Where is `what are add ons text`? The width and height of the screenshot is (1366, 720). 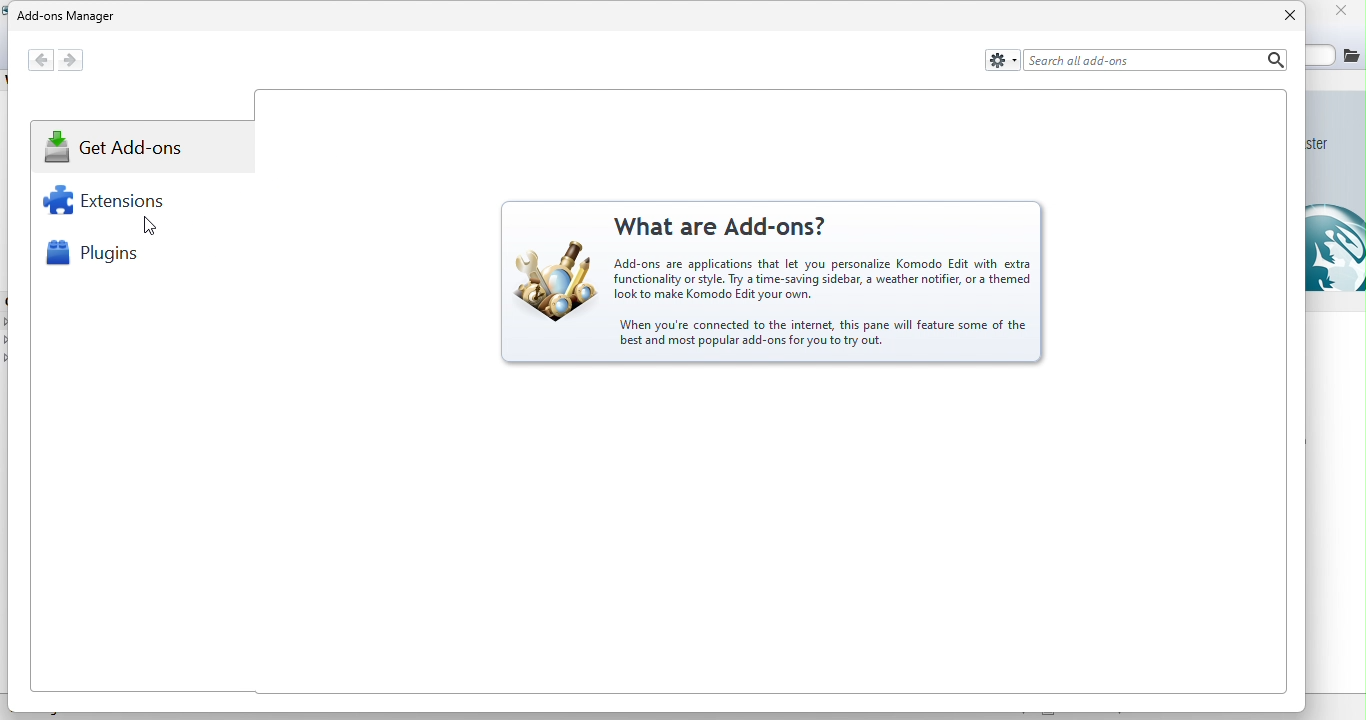 what are add ons text is located at coordinates (723, 287).